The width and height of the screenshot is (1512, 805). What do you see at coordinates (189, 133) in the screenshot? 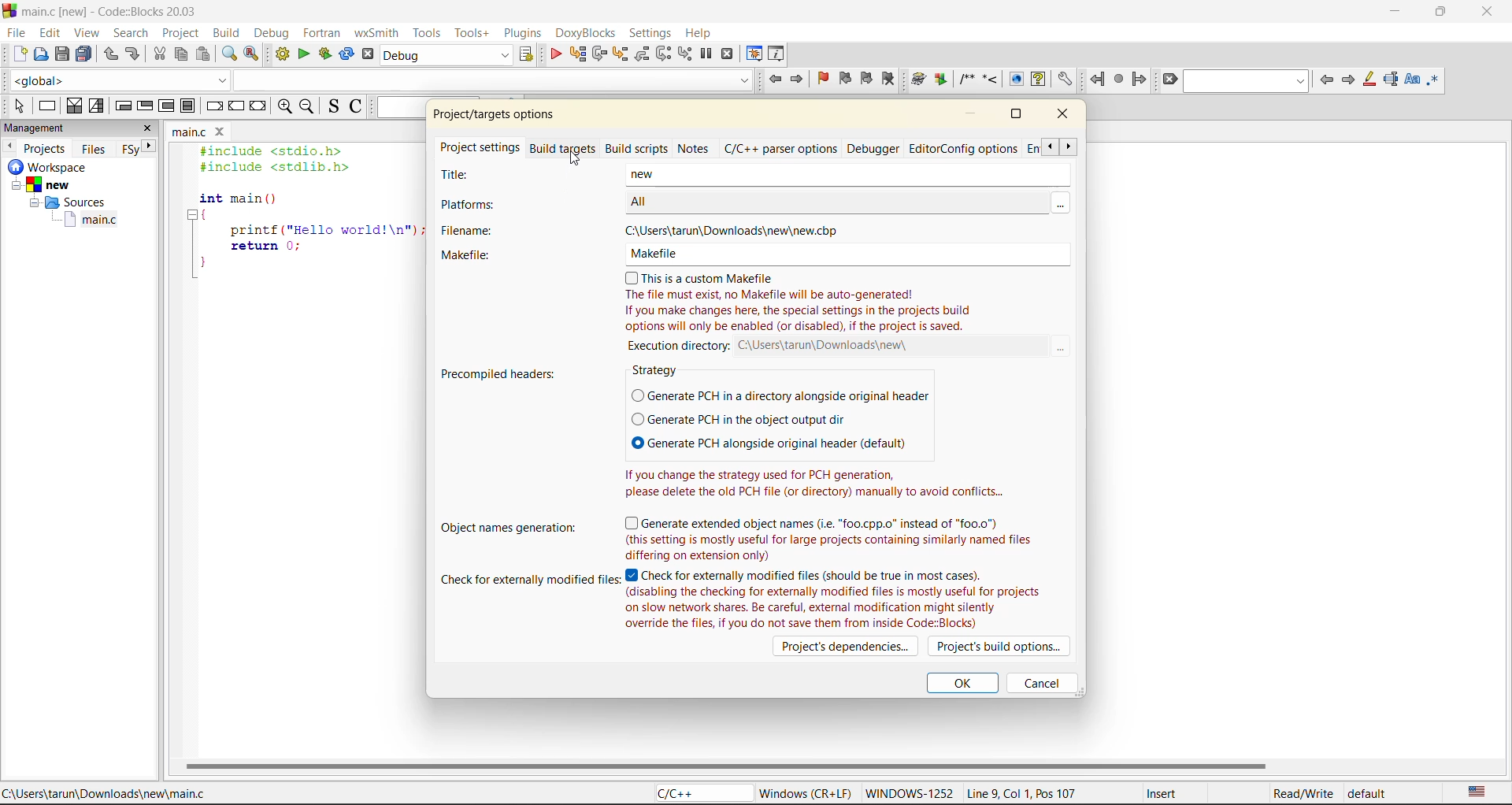
I see `main.c` at bounding box center [189, 133].